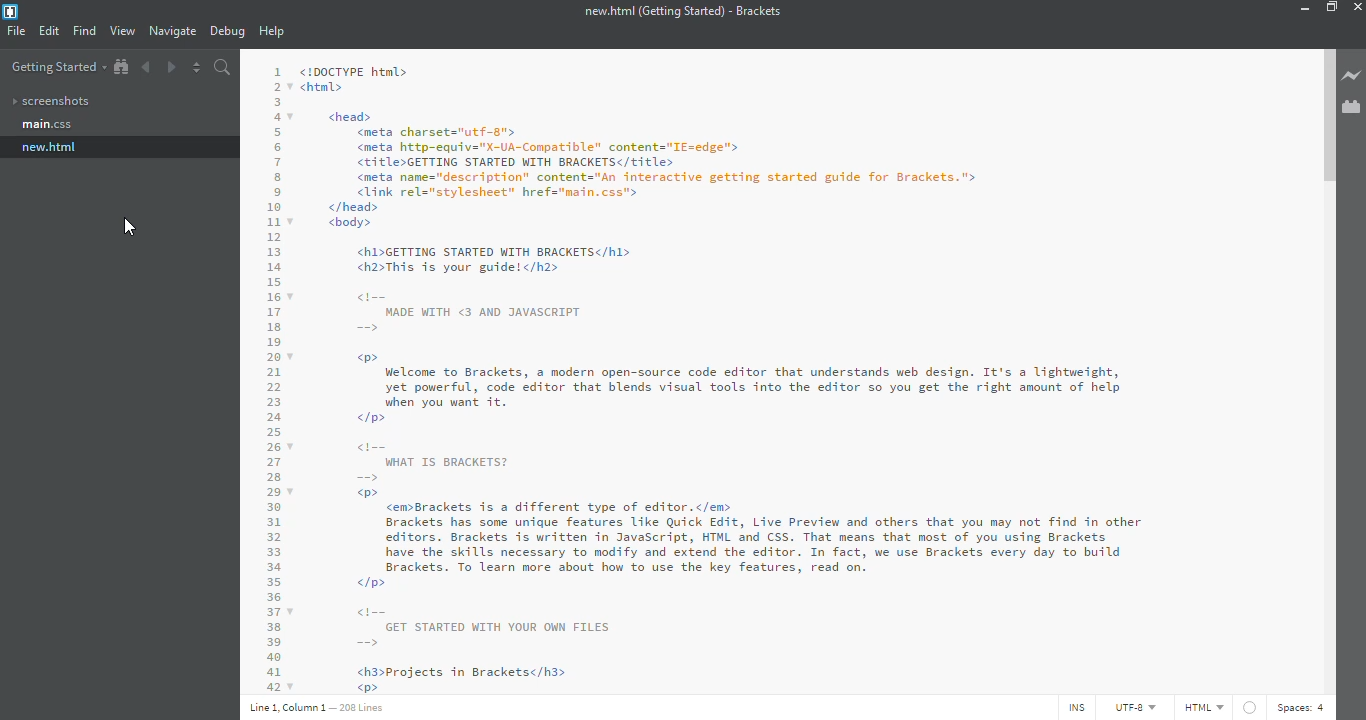 The height and width of the screenshot is (720, 1366). I want to click on index, so click(49, 124).